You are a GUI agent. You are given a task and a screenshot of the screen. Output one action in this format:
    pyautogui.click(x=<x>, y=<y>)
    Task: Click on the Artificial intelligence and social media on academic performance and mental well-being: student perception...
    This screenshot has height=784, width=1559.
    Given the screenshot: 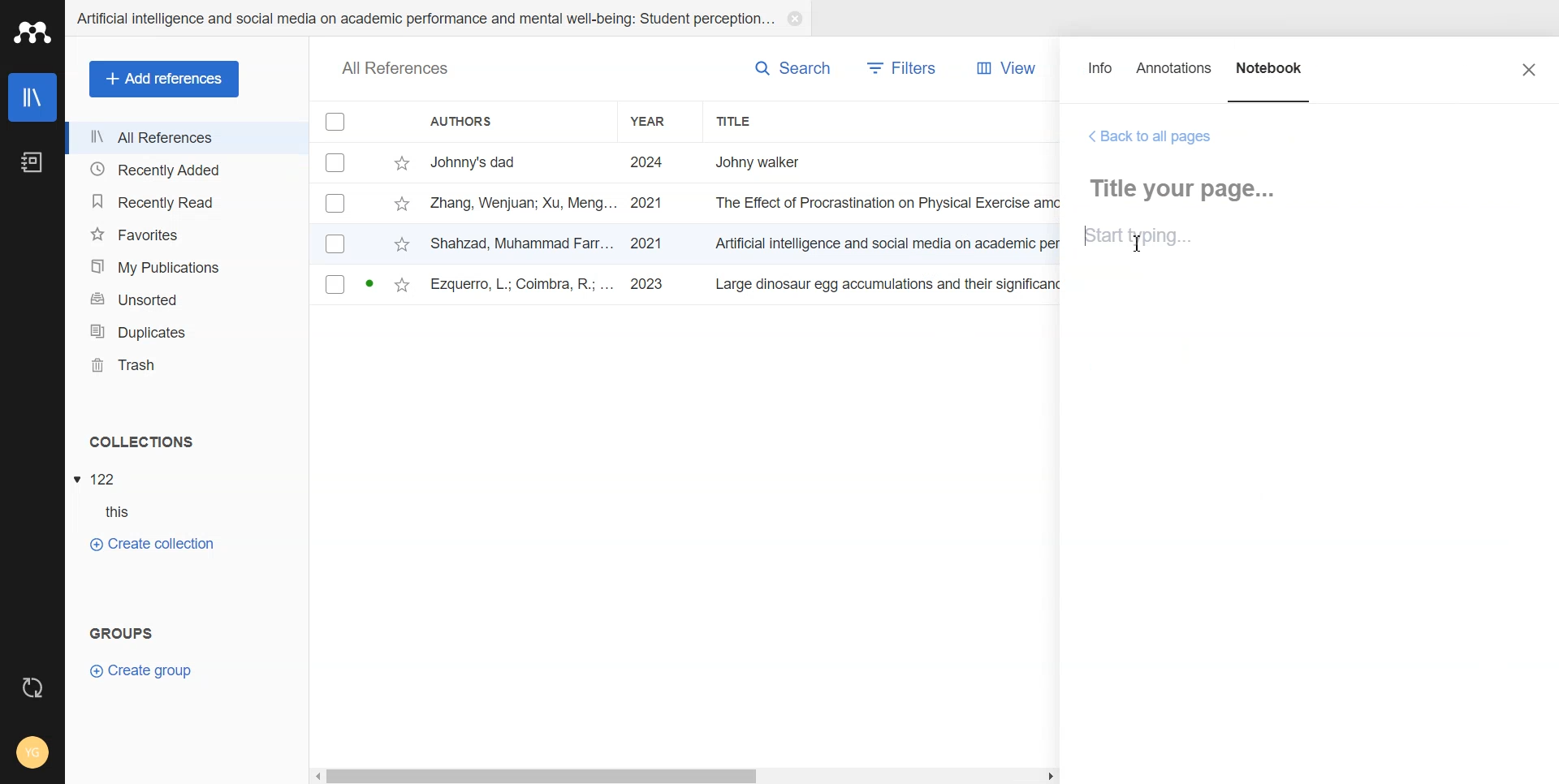 What is the action you would take?
    pyautogui.click(x=424, y=19)
    